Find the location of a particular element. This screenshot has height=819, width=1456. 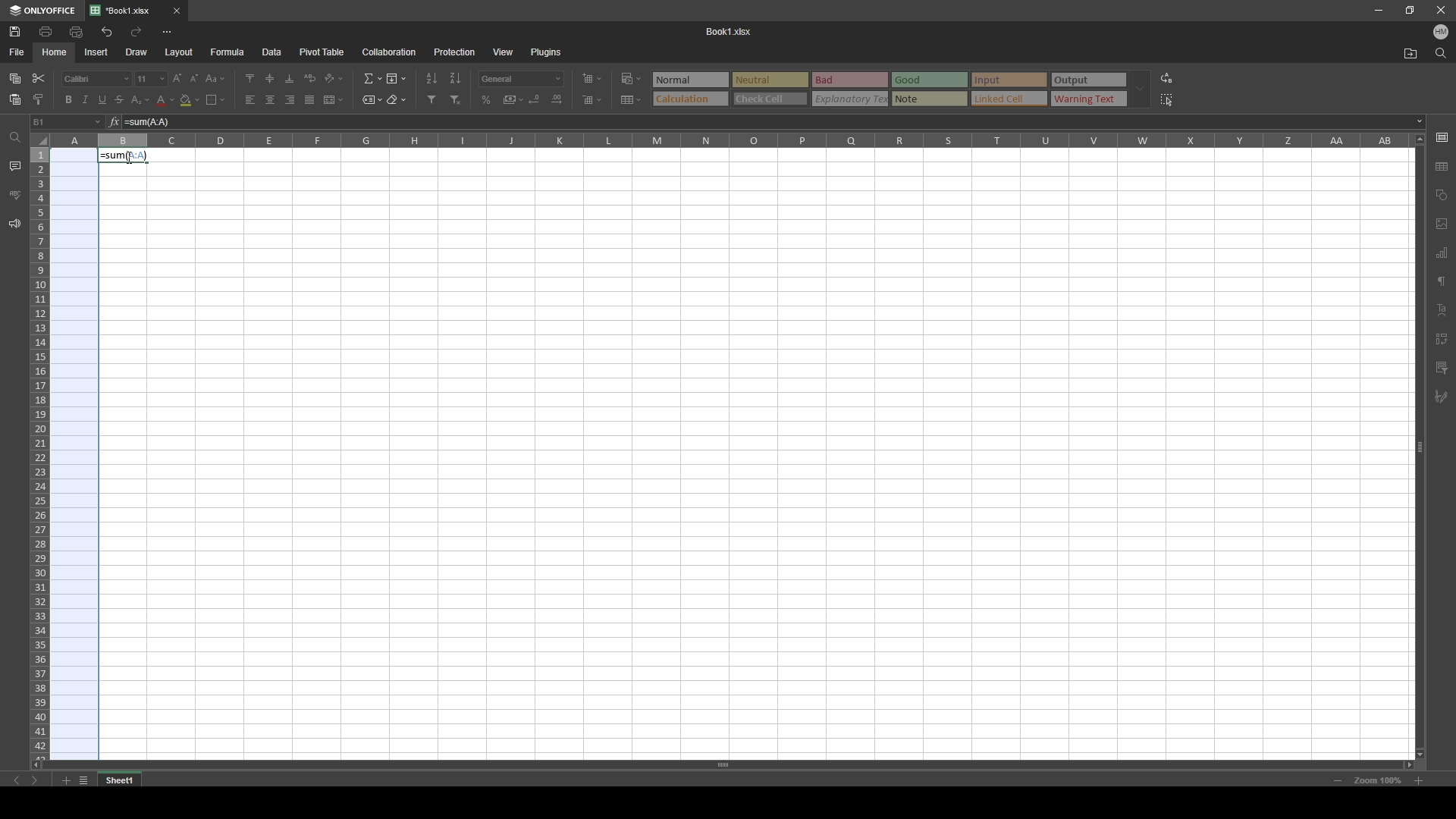

spell check is located at coordinates (14, 195).